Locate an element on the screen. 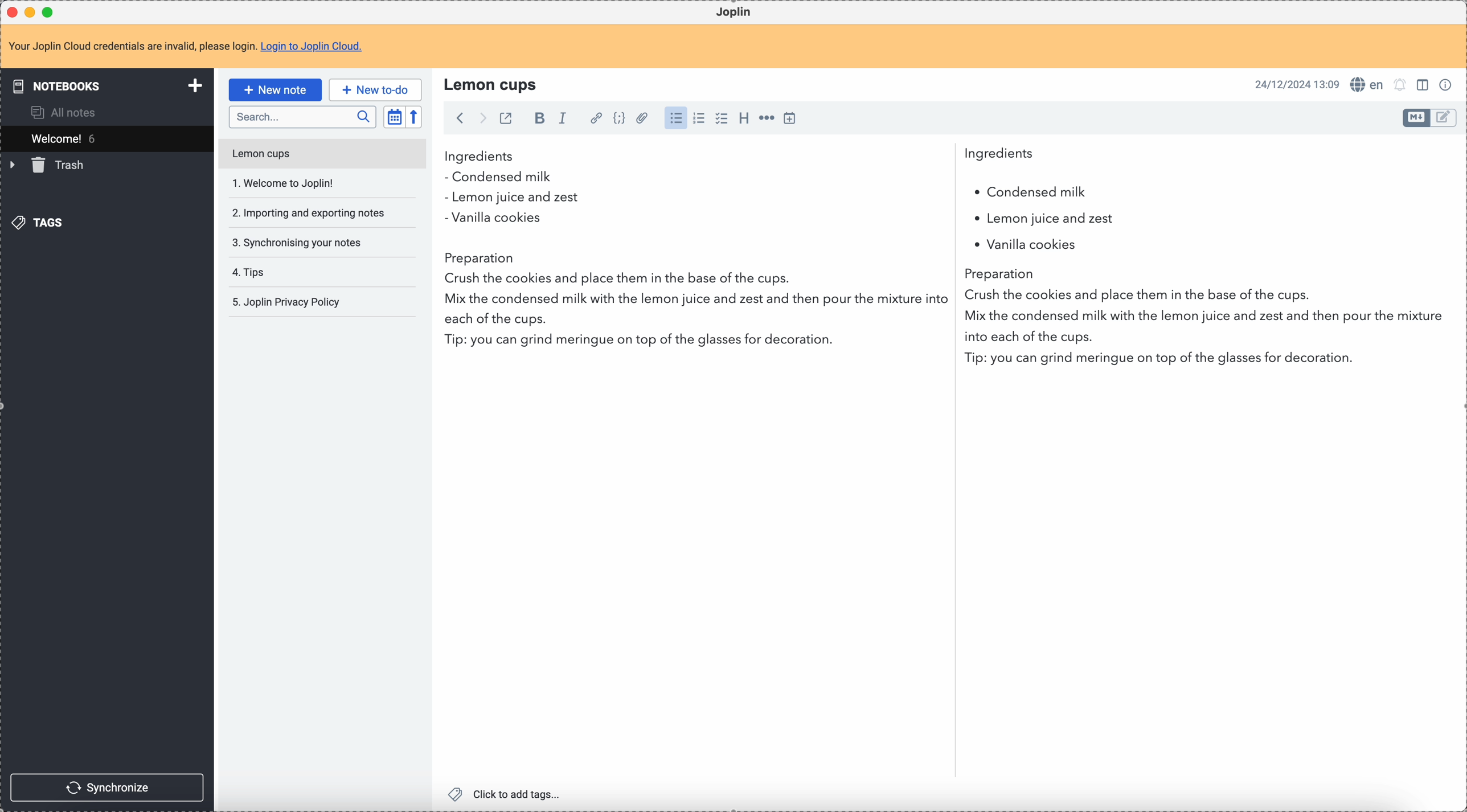 The width and height of the screenshot is (1467, 812). notebooks is located at coordinates (109, 85).